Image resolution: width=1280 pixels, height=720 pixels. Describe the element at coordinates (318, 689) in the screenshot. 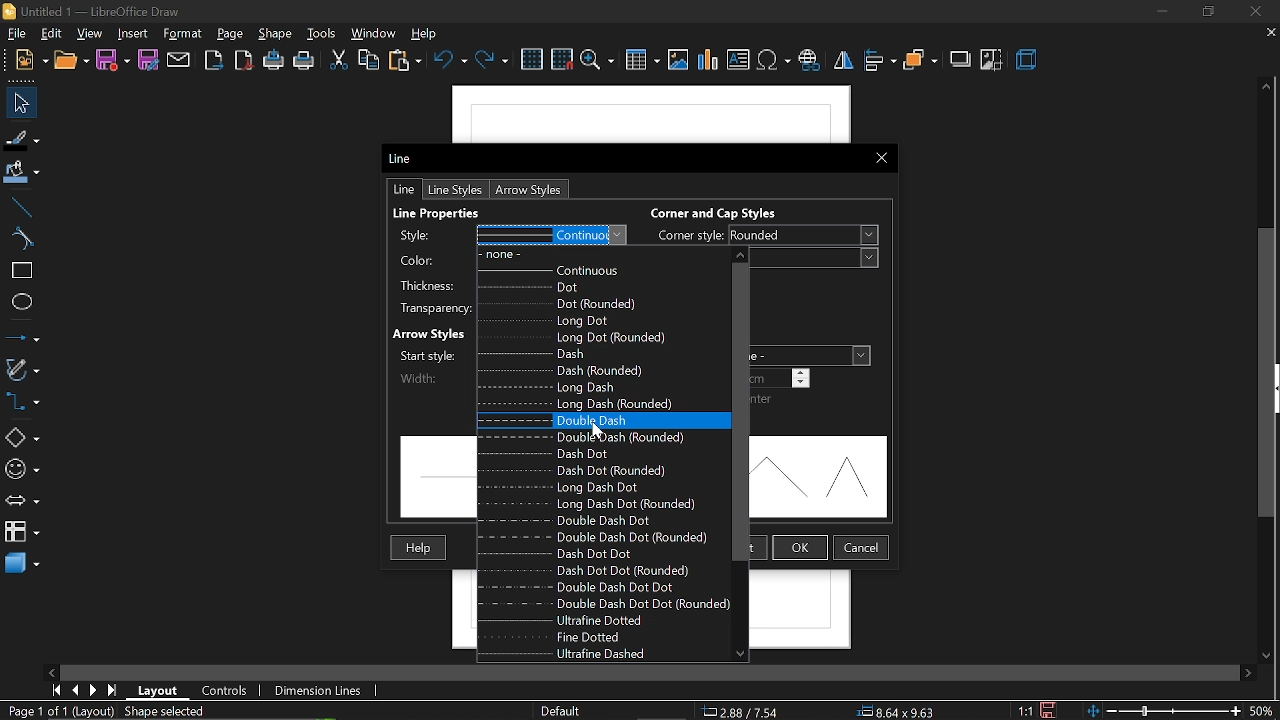

I see `dimension lines` at that location.